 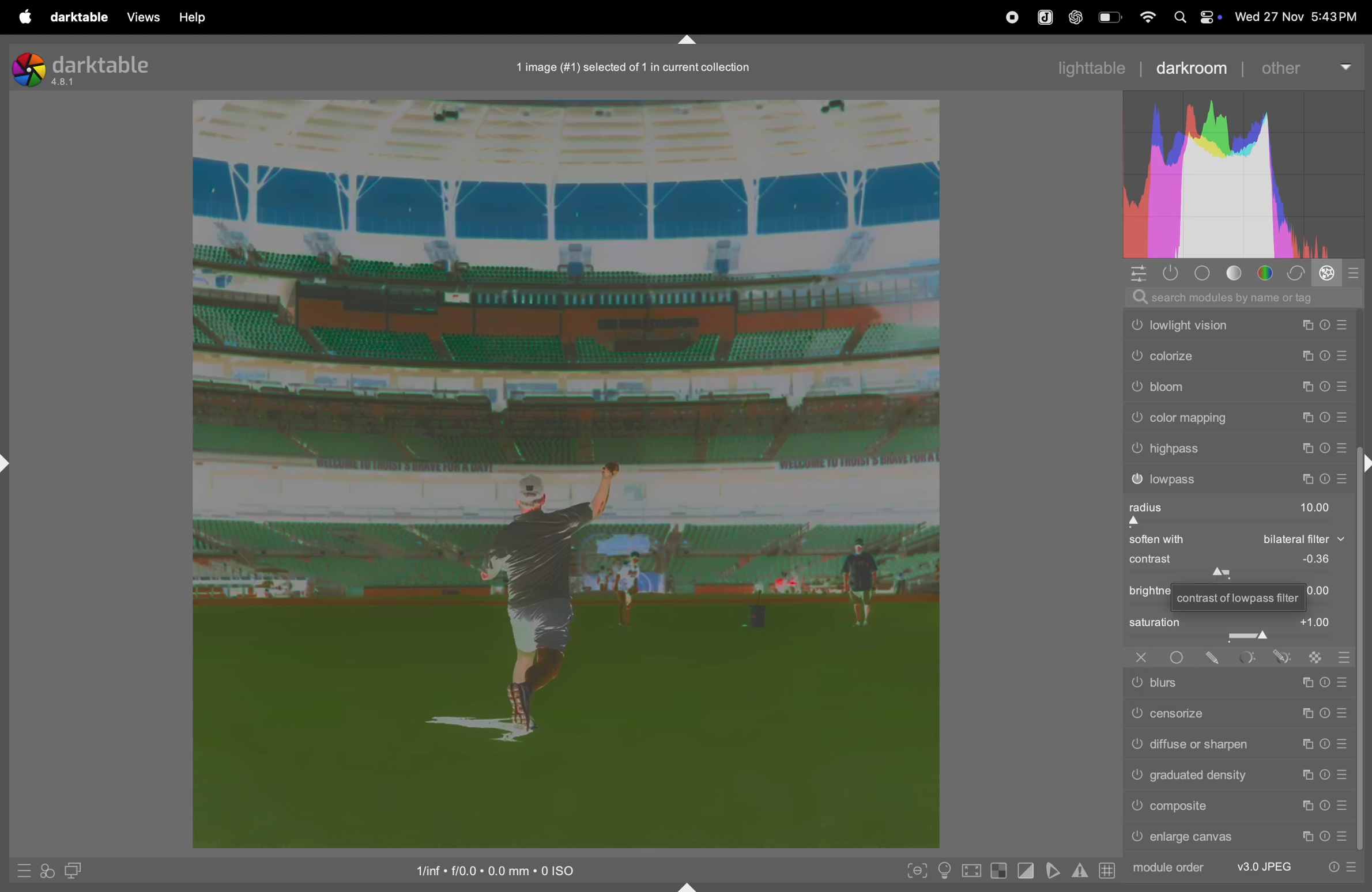 I want to click on scroll bar, so click(x=1363, y=671).